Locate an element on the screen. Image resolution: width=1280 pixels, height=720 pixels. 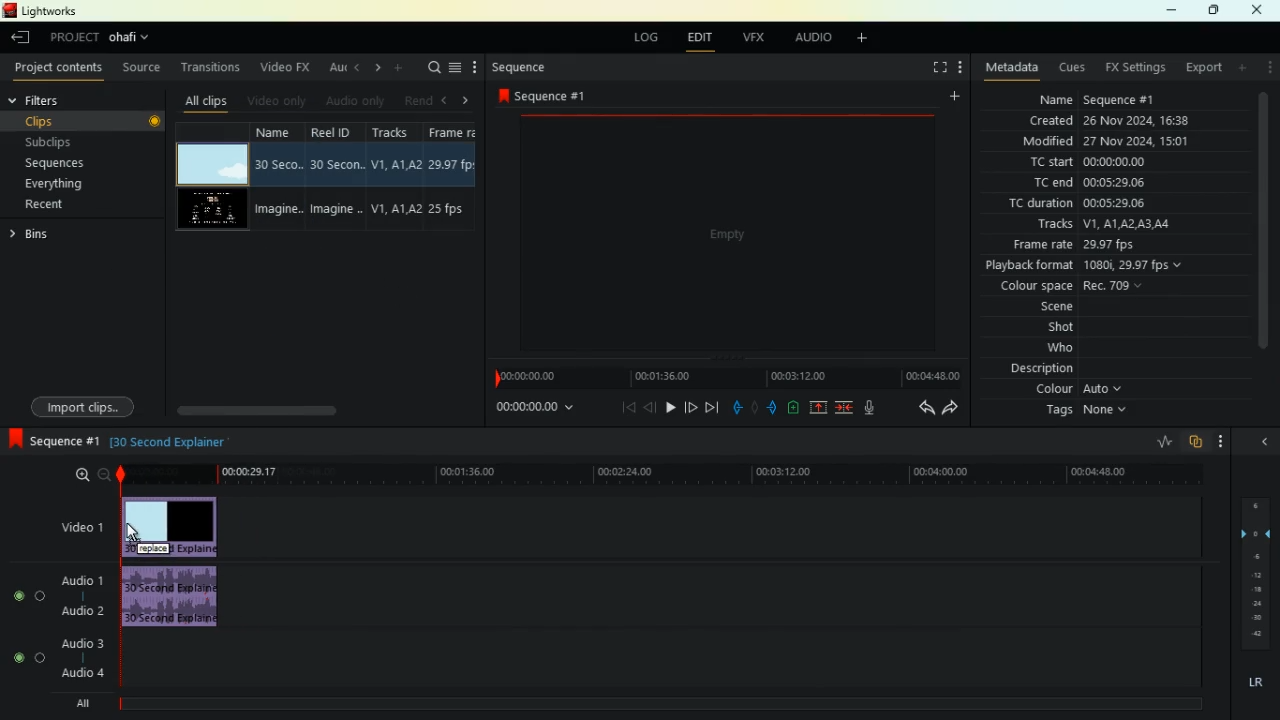
lightworks is located at coordinates (40, 12).